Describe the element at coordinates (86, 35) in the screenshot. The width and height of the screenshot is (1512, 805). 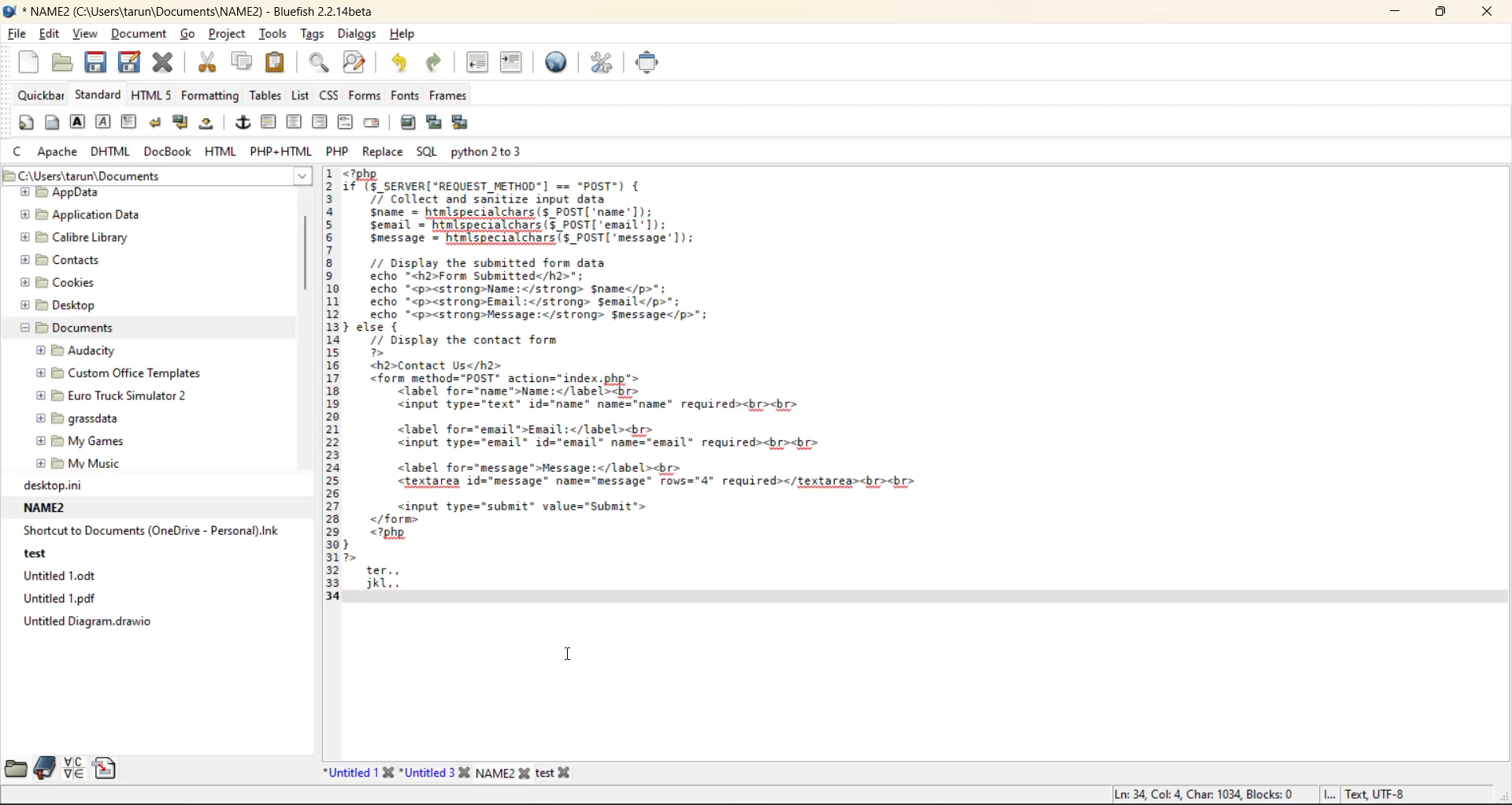
I see `view` at that location.